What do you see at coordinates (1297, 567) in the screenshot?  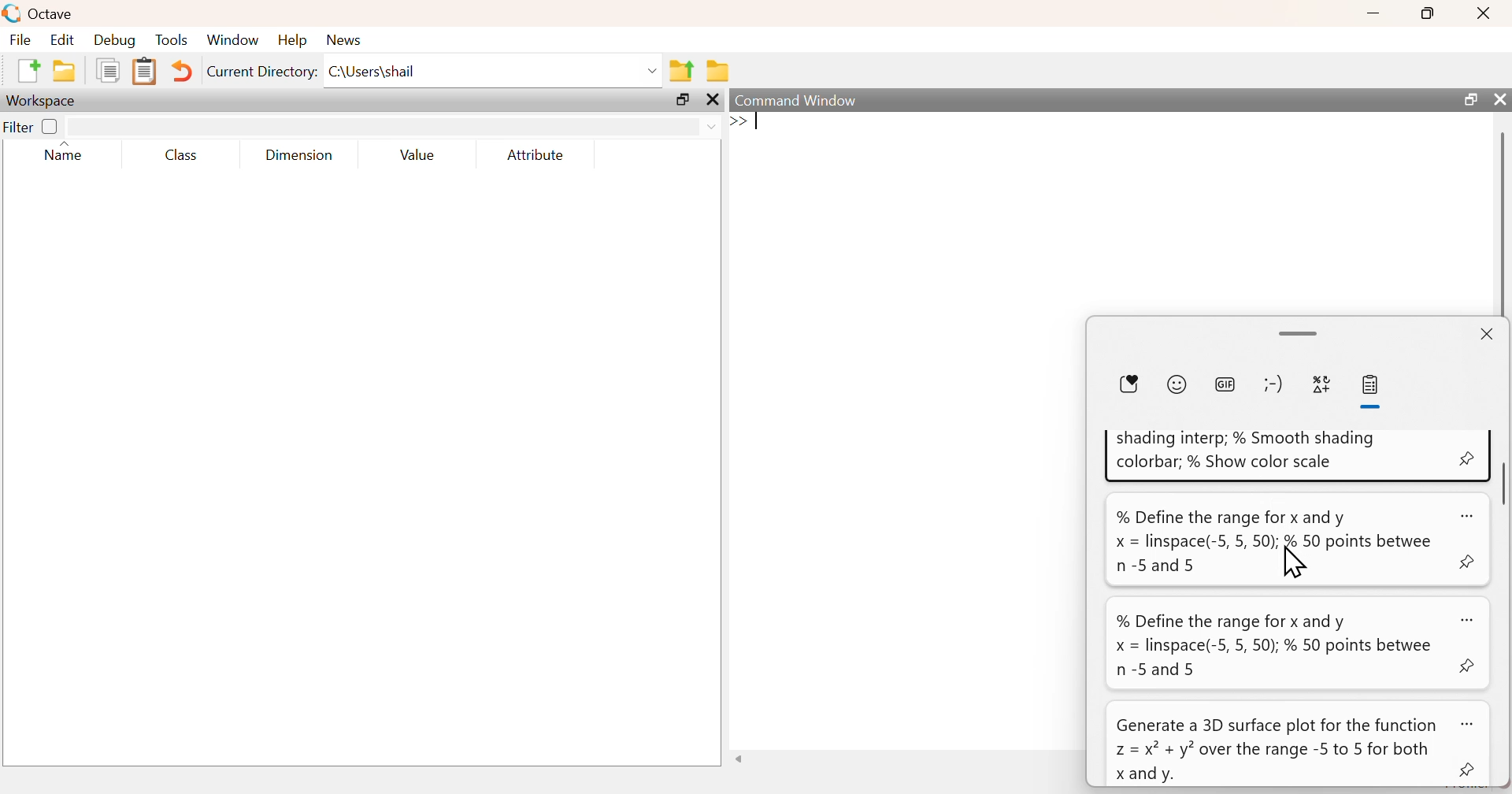 I see `cursor` at bounding box center [1297, 567].